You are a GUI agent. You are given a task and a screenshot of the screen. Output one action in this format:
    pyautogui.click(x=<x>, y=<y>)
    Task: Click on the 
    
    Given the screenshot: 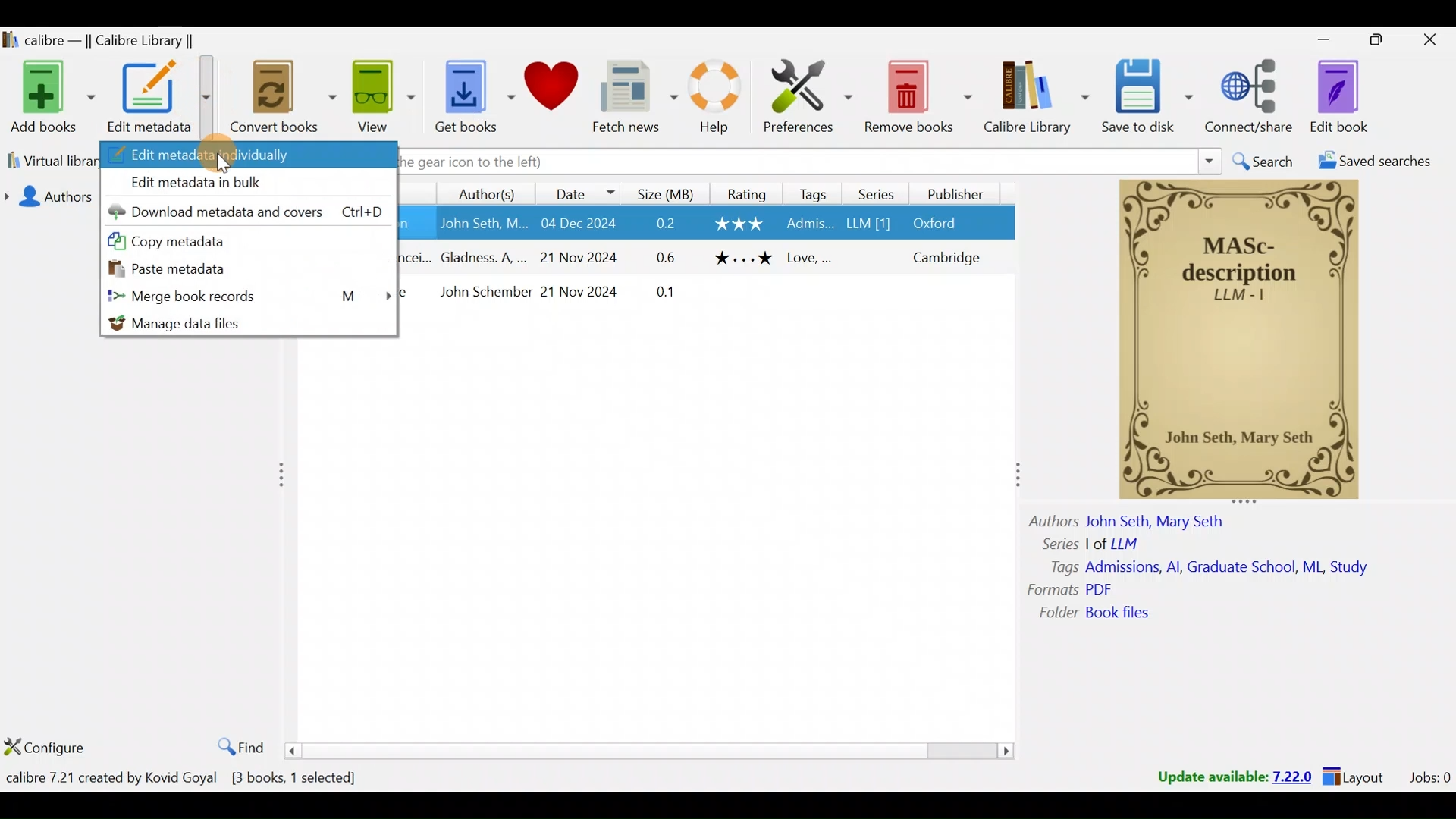 What is the action you would take?
    pyautogui.click(x=670, y=224)
    